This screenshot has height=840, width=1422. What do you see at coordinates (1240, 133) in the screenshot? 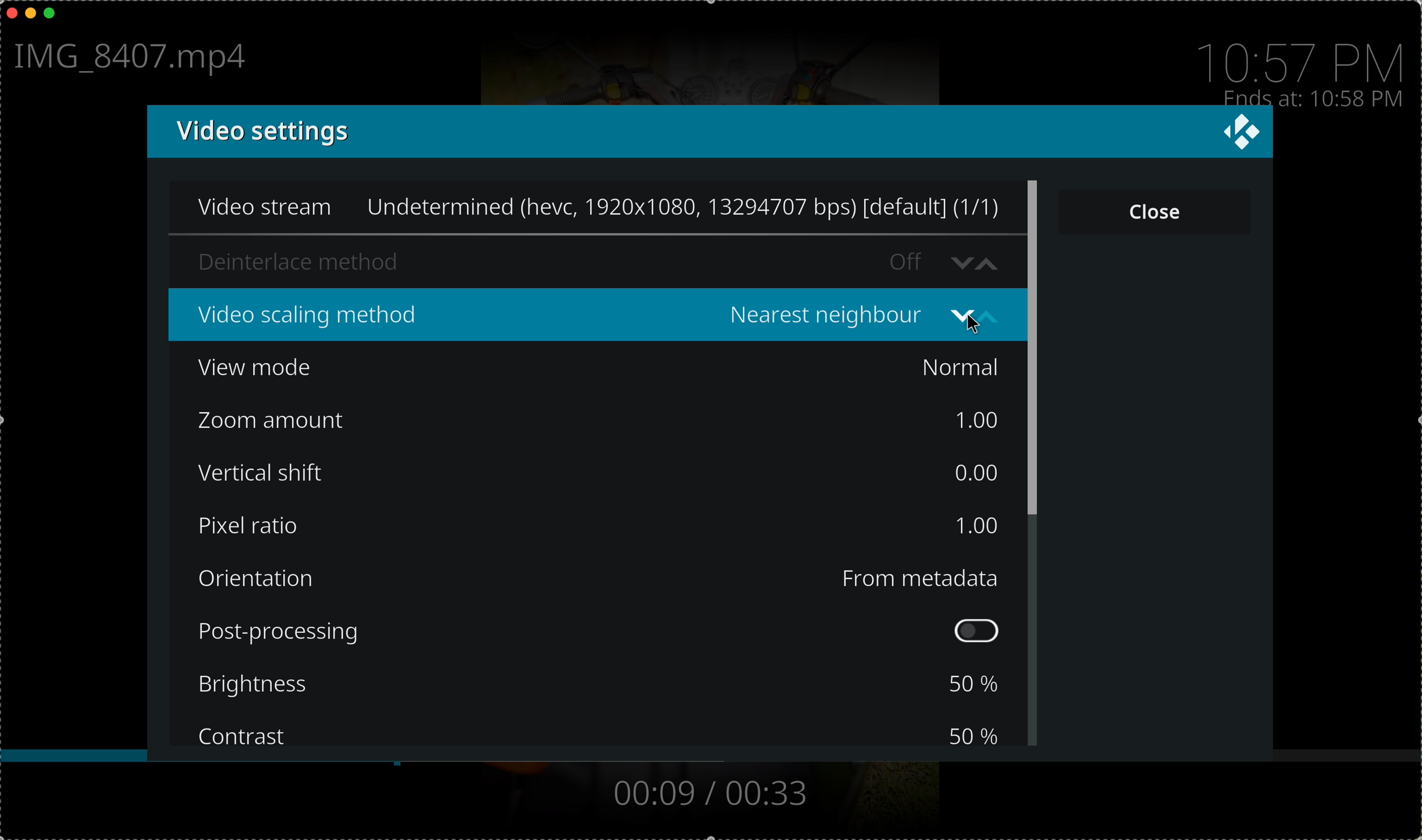
I see `Logo` at bounding box center [1240, 133].